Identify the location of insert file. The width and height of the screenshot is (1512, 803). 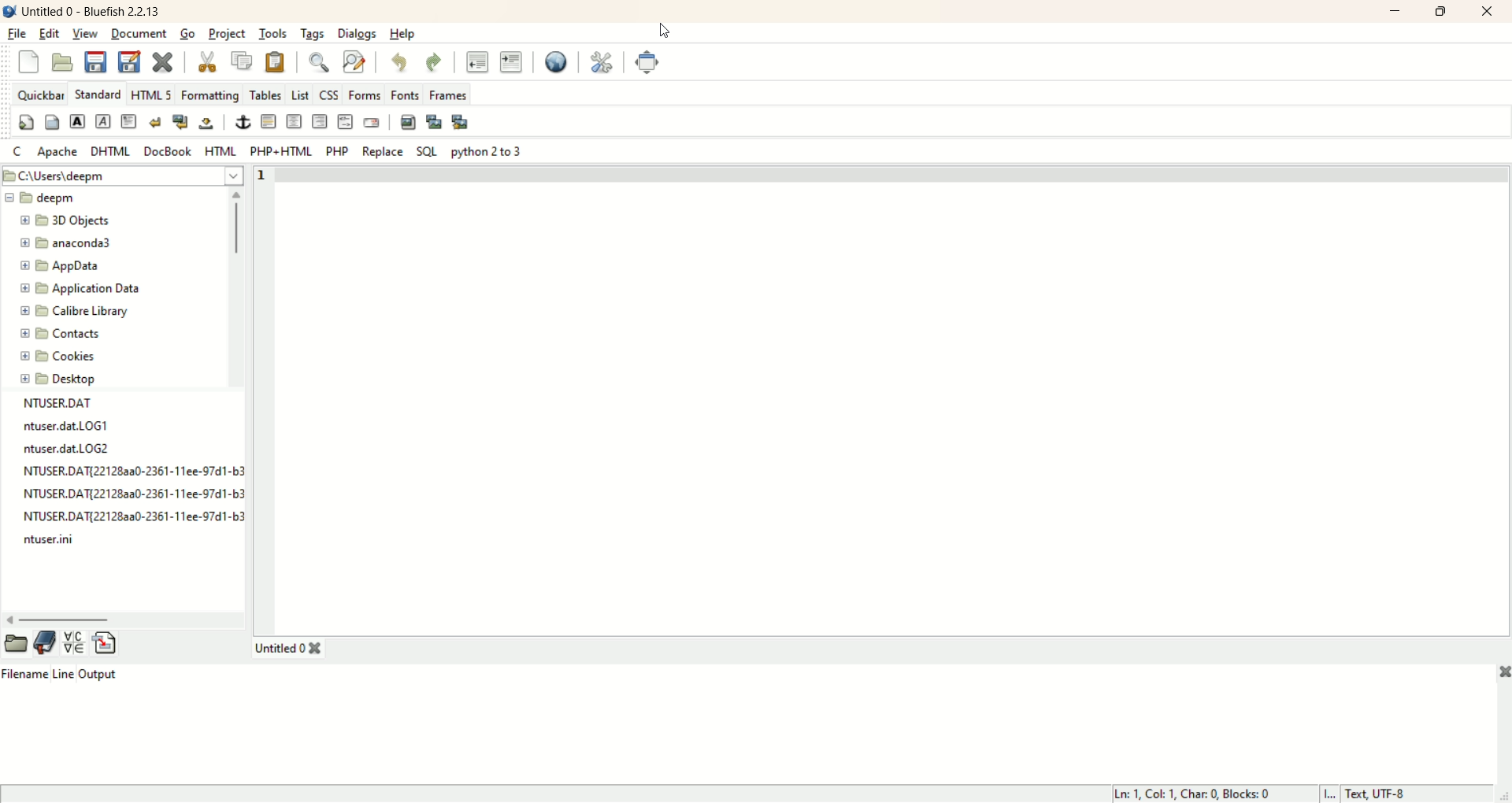
(106, 640).